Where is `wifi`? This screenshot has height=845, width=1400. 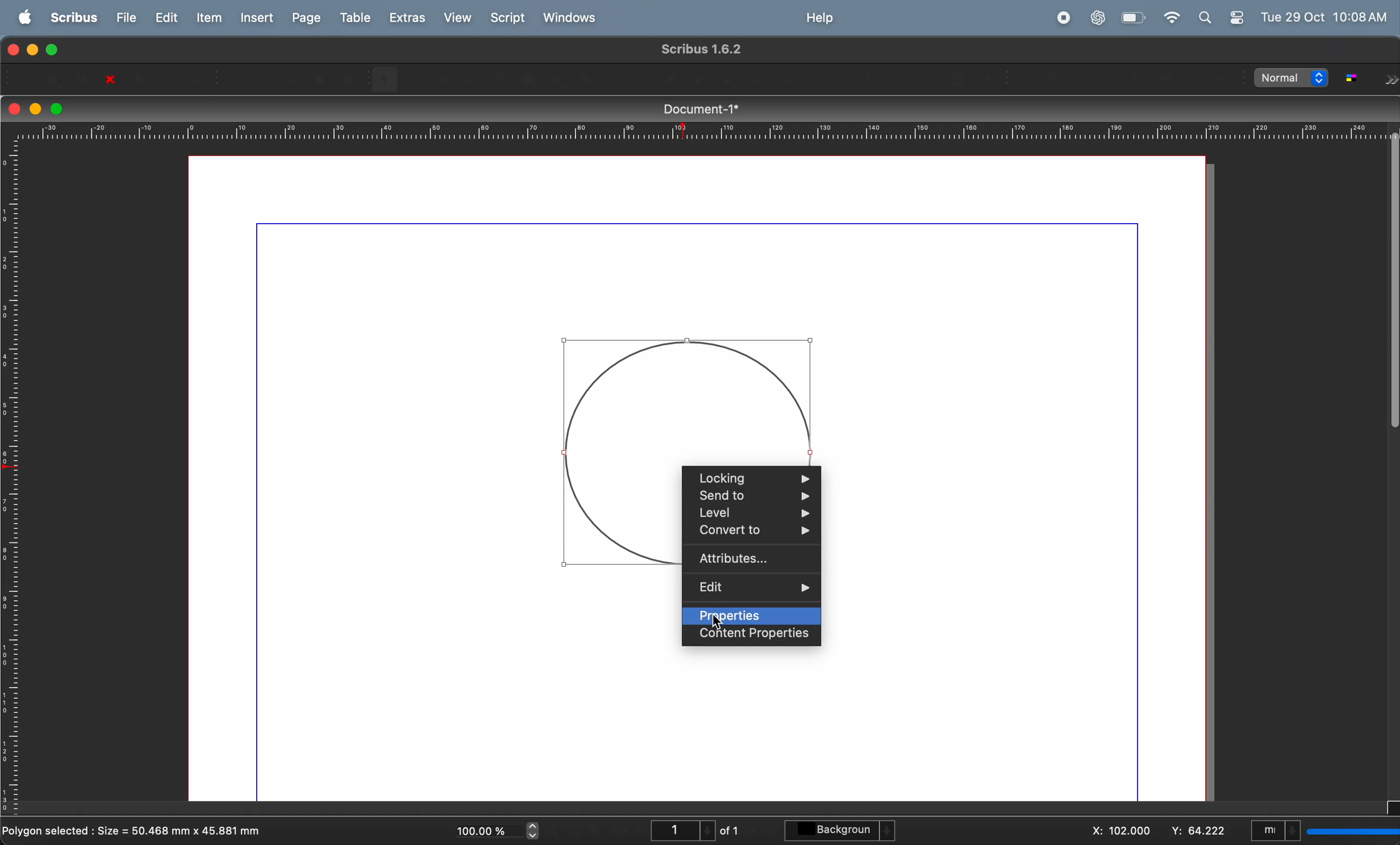 wifi is located at coordinates (1169, 17).